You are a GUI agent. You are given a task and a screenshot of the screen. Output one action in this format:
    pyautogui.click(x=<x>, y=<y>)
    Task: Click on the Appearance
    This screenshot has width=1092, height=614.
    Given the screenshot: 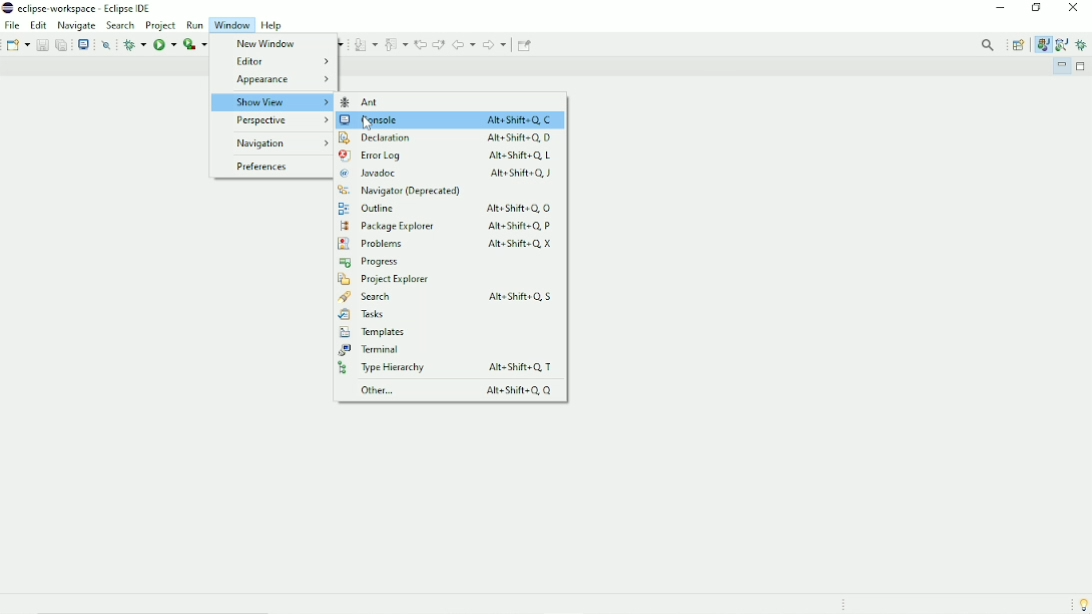 What is the action you would take?
    pyautogui.click(x=280, y=79)
    